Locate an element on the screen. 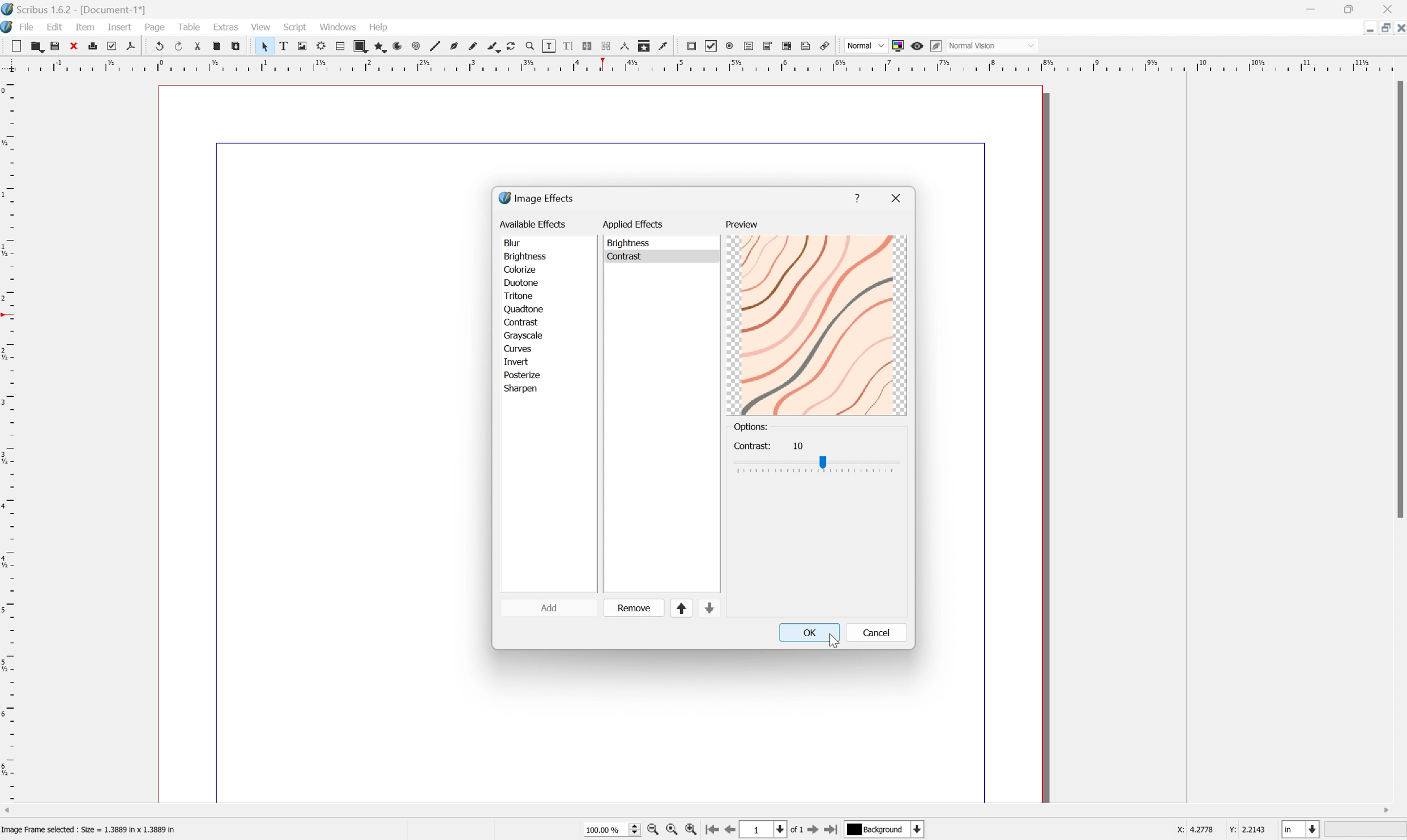 This screenshot has width=1407, height=840. Edit in preview mode is located at coordinates (936, 46).